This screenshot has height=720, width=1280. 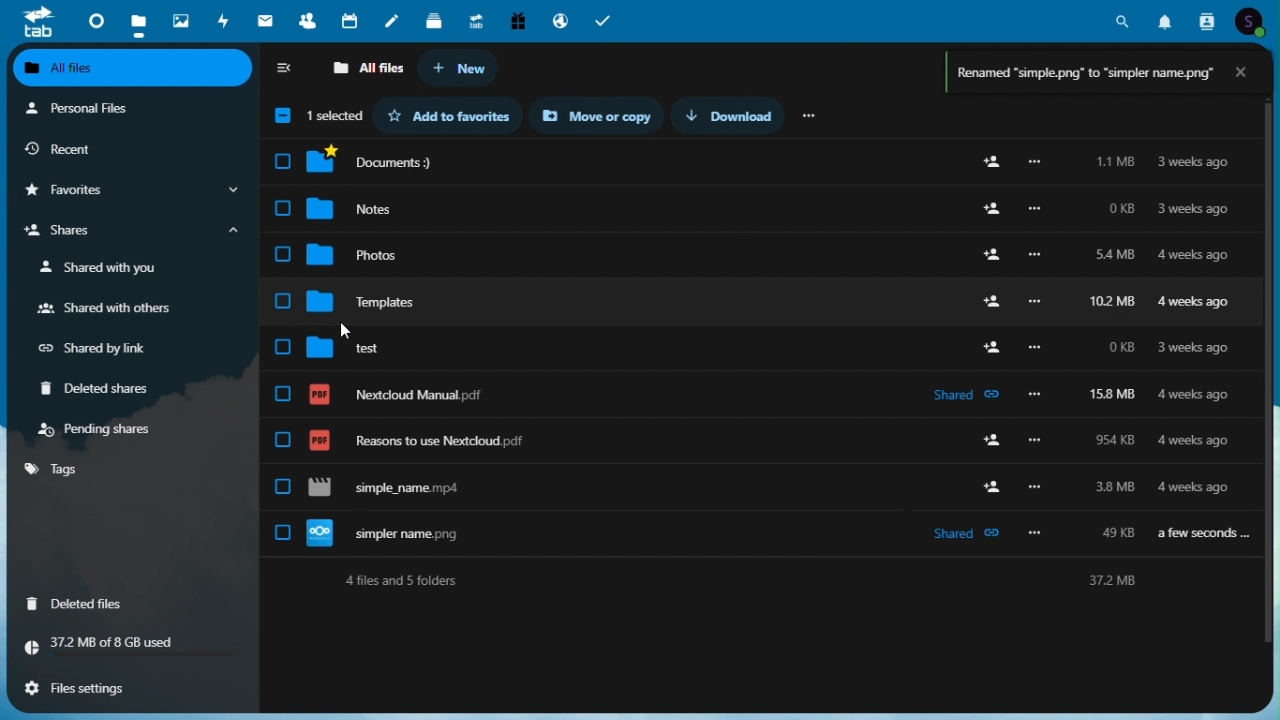 What do you see at coordinates (757, 483) in the screenshot?
I see `file being renamed` at bounding box center [757, 483].